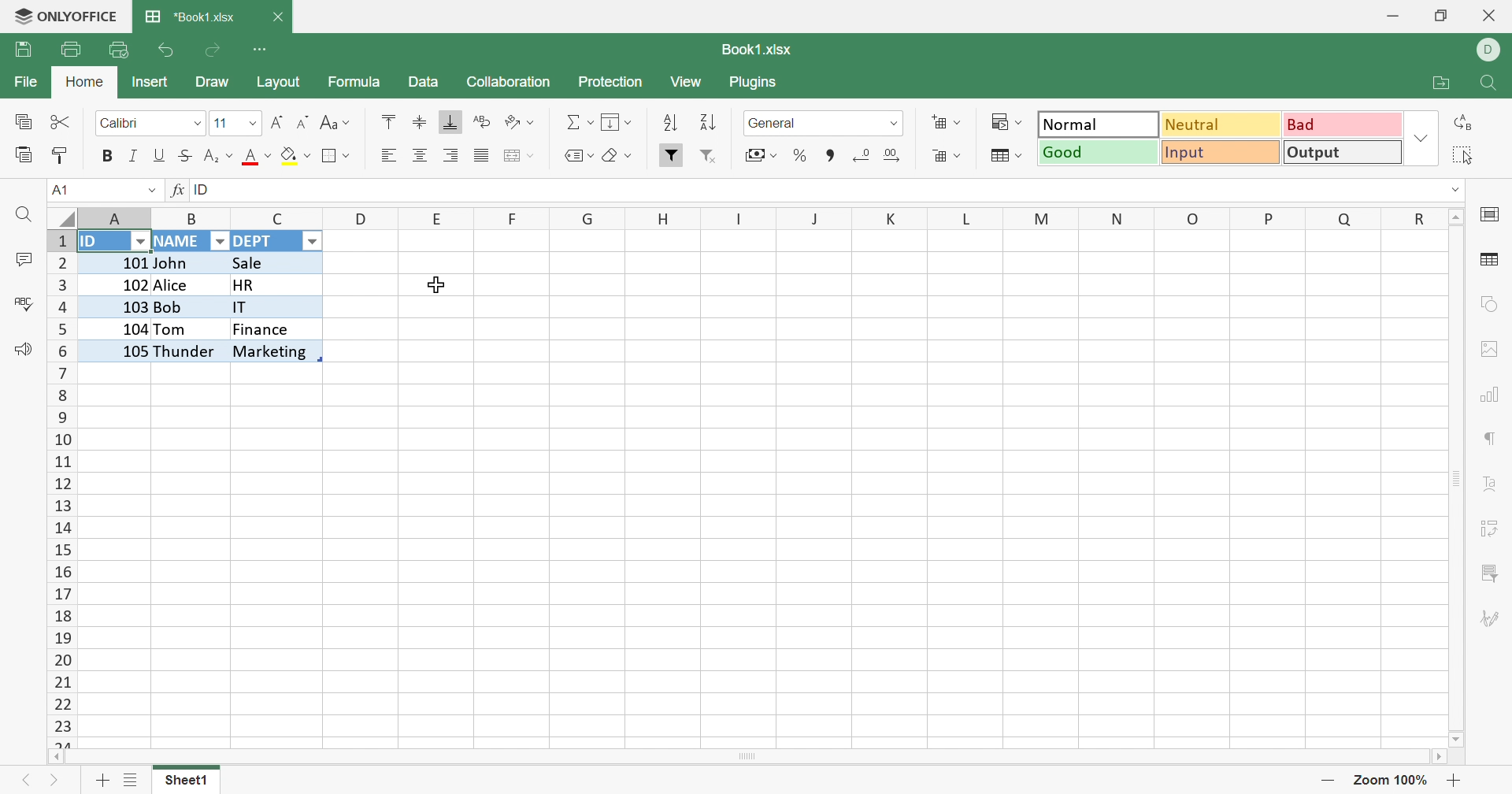 The width and height of the screenshot is (1512, 794). I want to click on Find, so click(22, 217).